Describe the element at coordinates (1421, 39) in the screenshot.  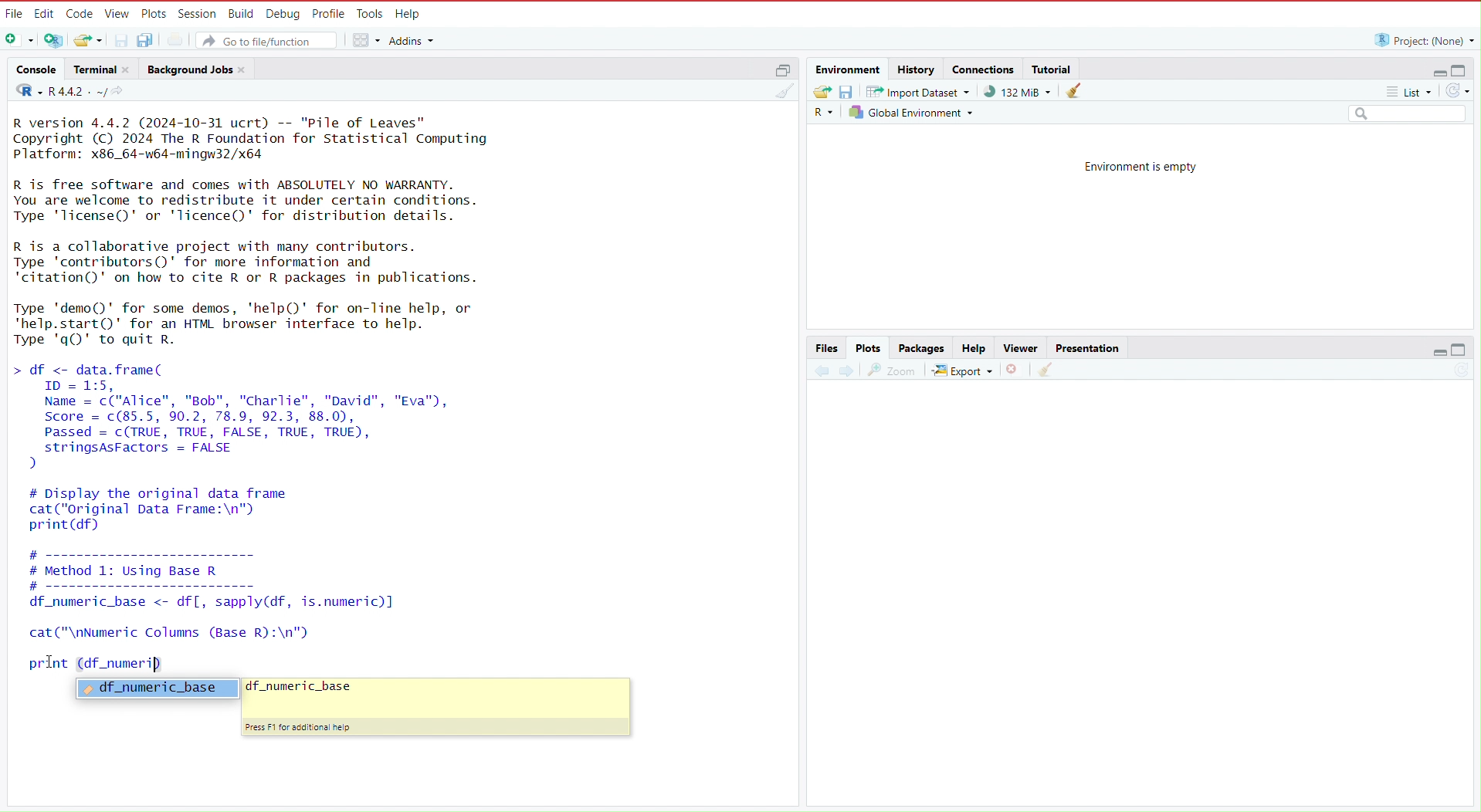
I see `Project: (None)` at that location.